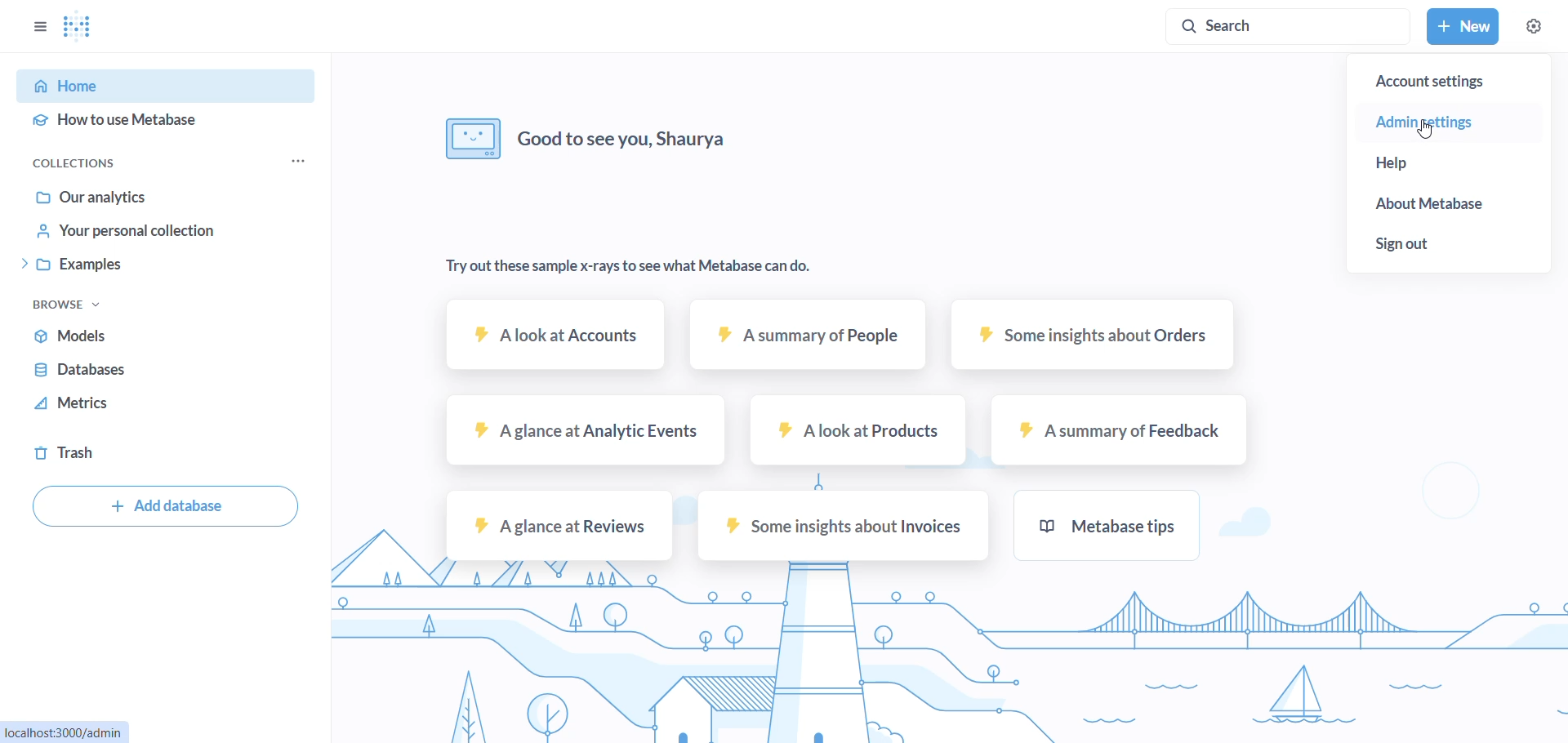 Image resolution: width=1568 pixels, height=743 pixels. What do you see at coordinates (1433, 122) in the screenshot?
I see `admin settings` at bounding box center [1433, 122].